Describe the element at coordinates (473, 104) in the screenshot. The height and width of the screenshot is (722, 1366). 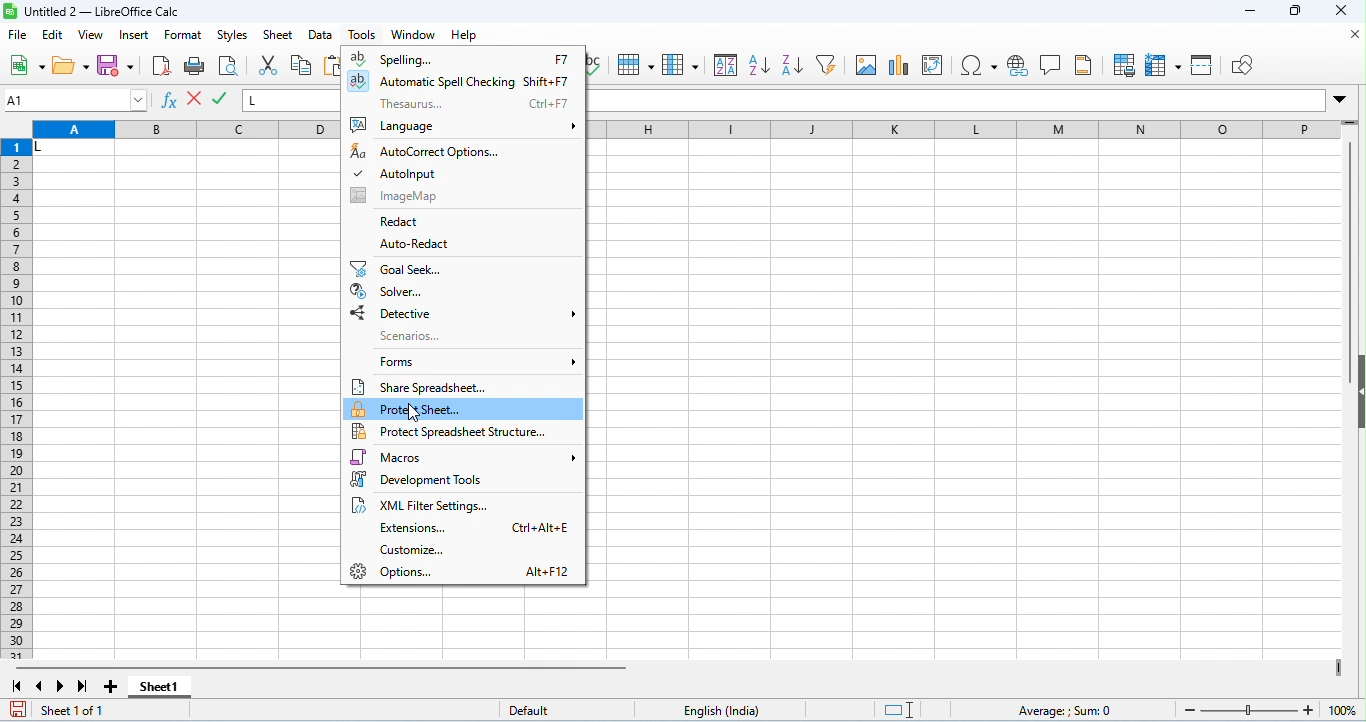
I see `thesaurus` at that location.